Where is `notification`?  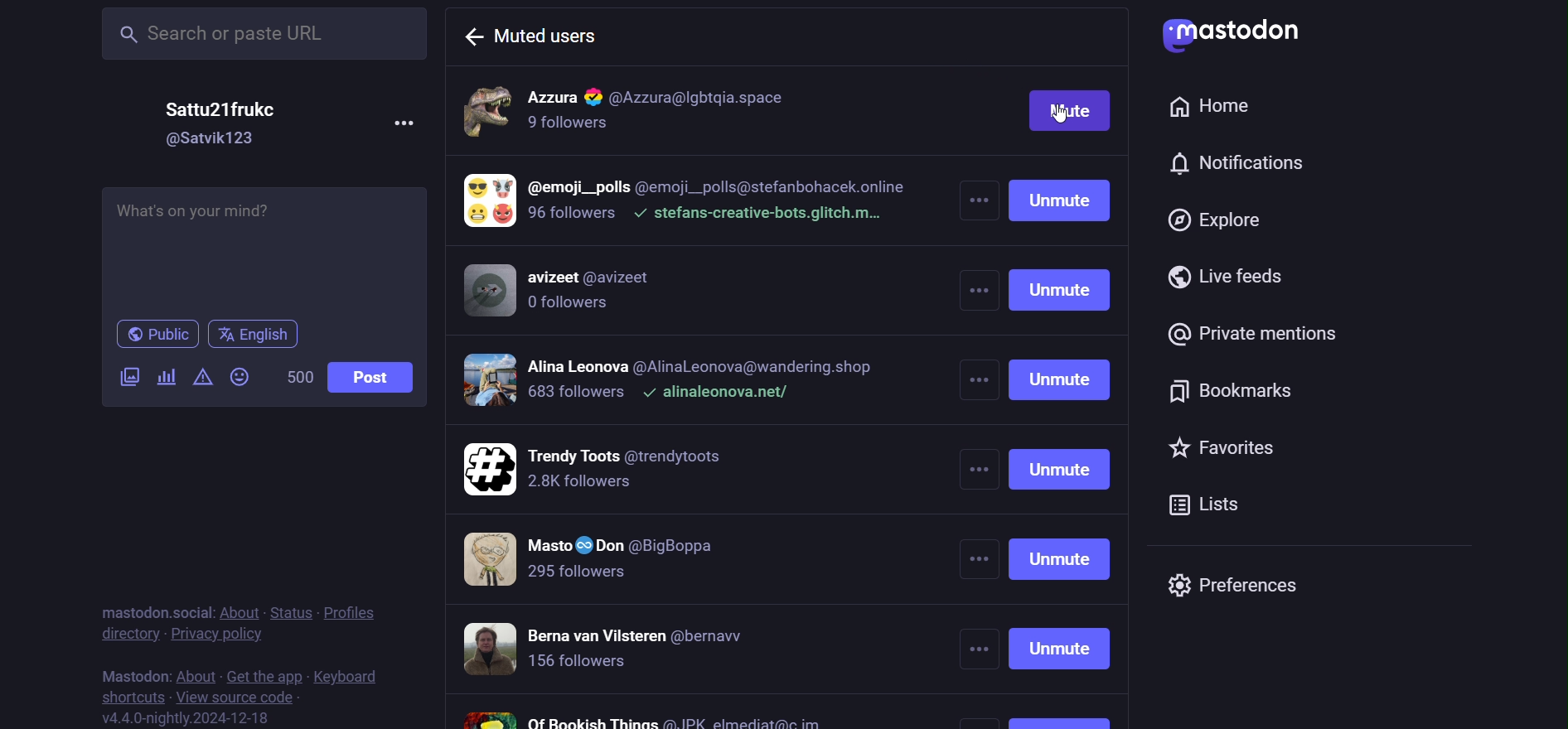 notification is located at coordinates (1236, 167).